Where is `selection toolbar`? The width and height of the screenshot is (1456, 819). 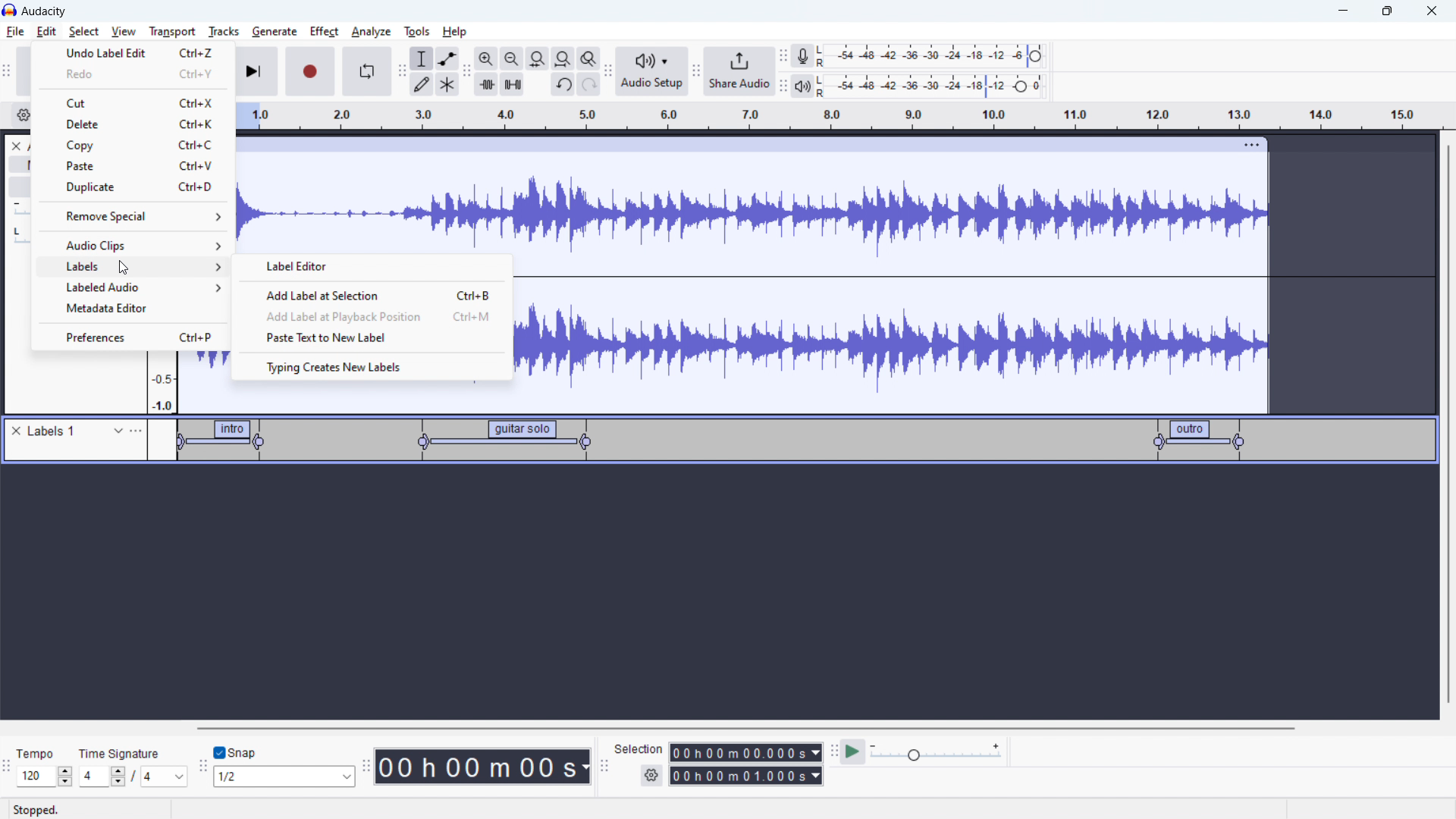 selection toolbar is located at coordinates (602, 767).